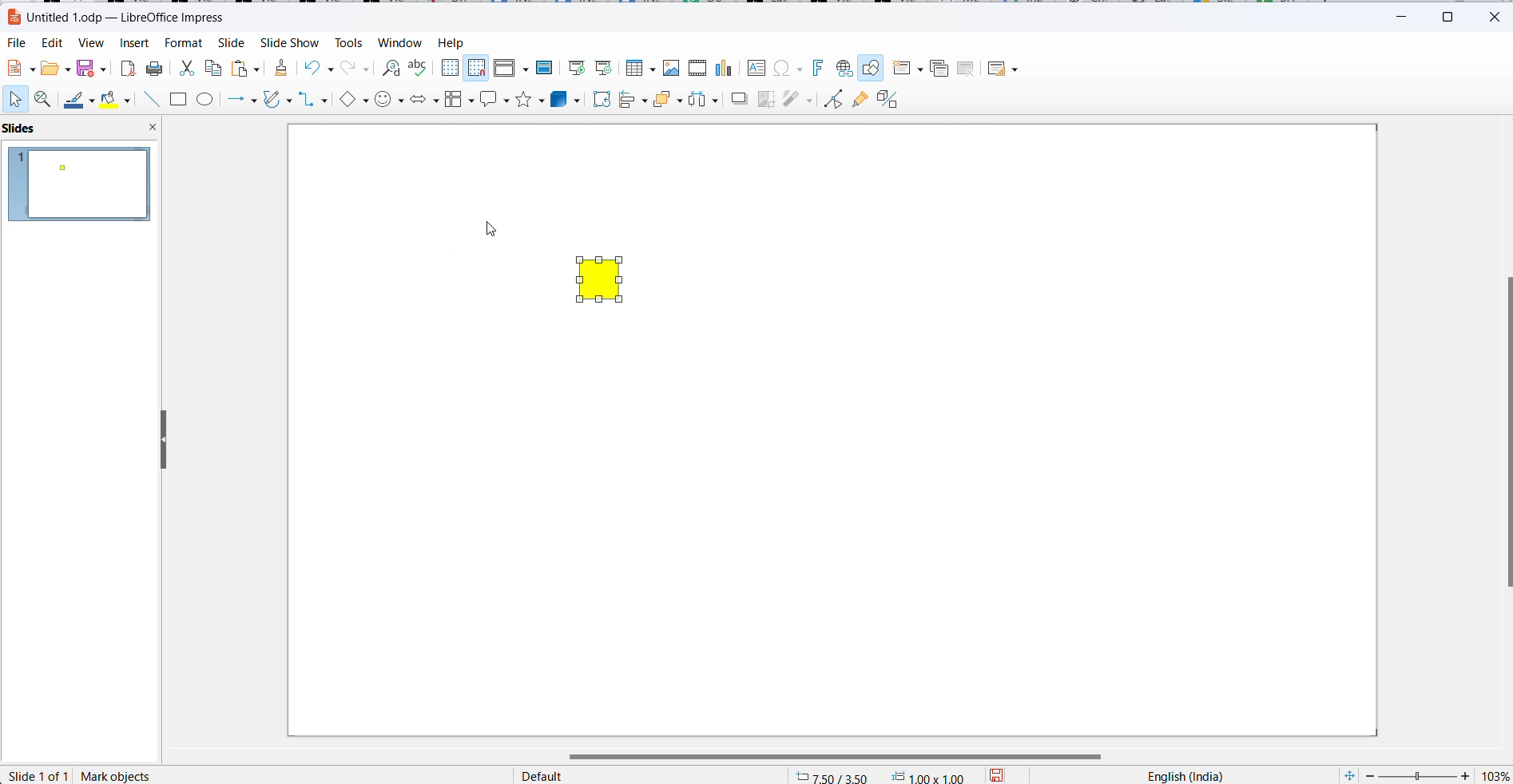  I want to click on Format, so click(183, 44).